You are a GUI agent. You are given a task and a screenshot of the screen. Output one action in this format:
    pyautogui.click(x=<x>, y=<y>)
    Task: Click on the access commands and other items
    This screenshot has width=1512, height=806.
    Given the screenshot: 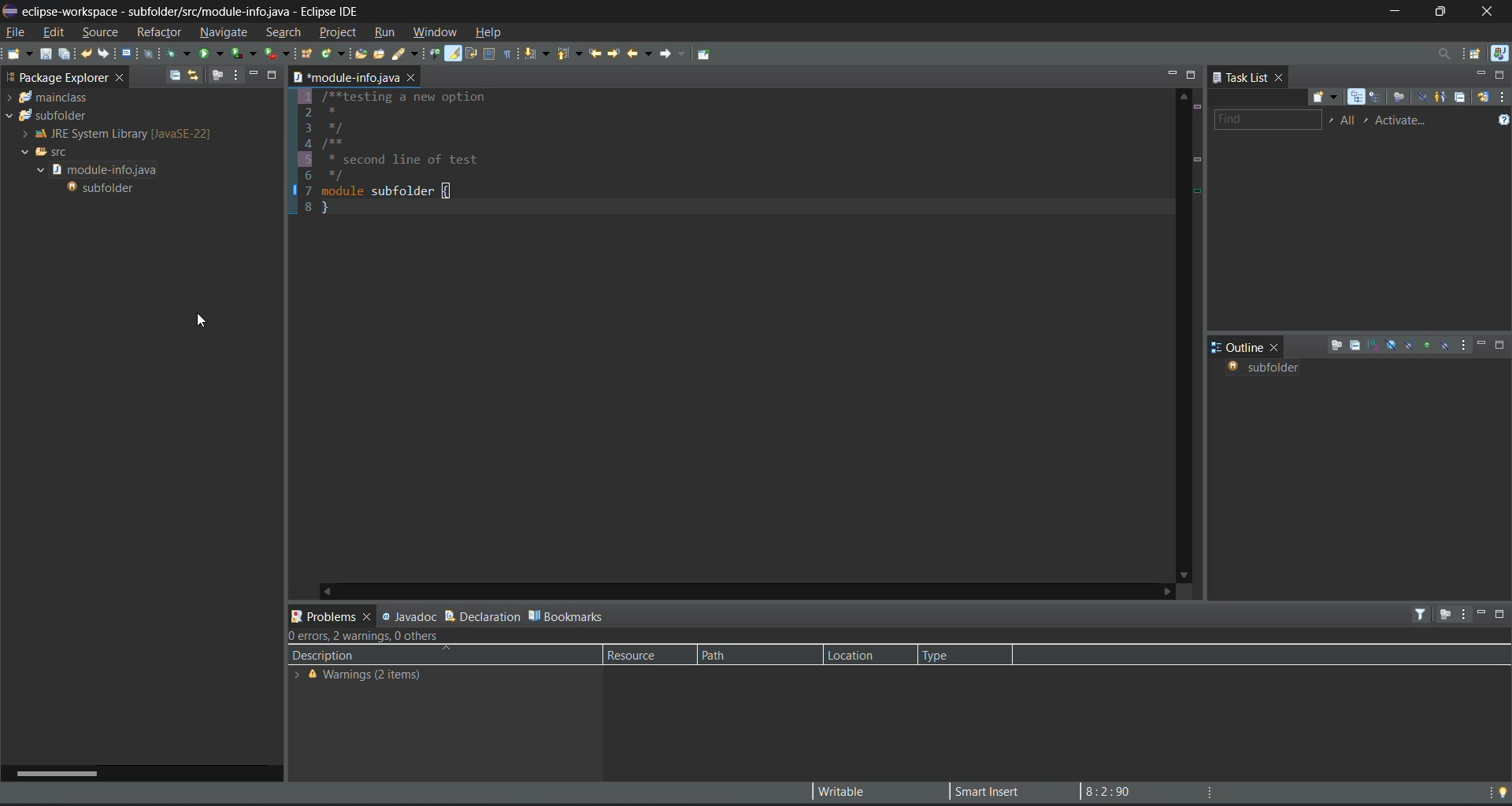 What is the action you would take?
    pyautogui.click(x=1443, y=54)
    